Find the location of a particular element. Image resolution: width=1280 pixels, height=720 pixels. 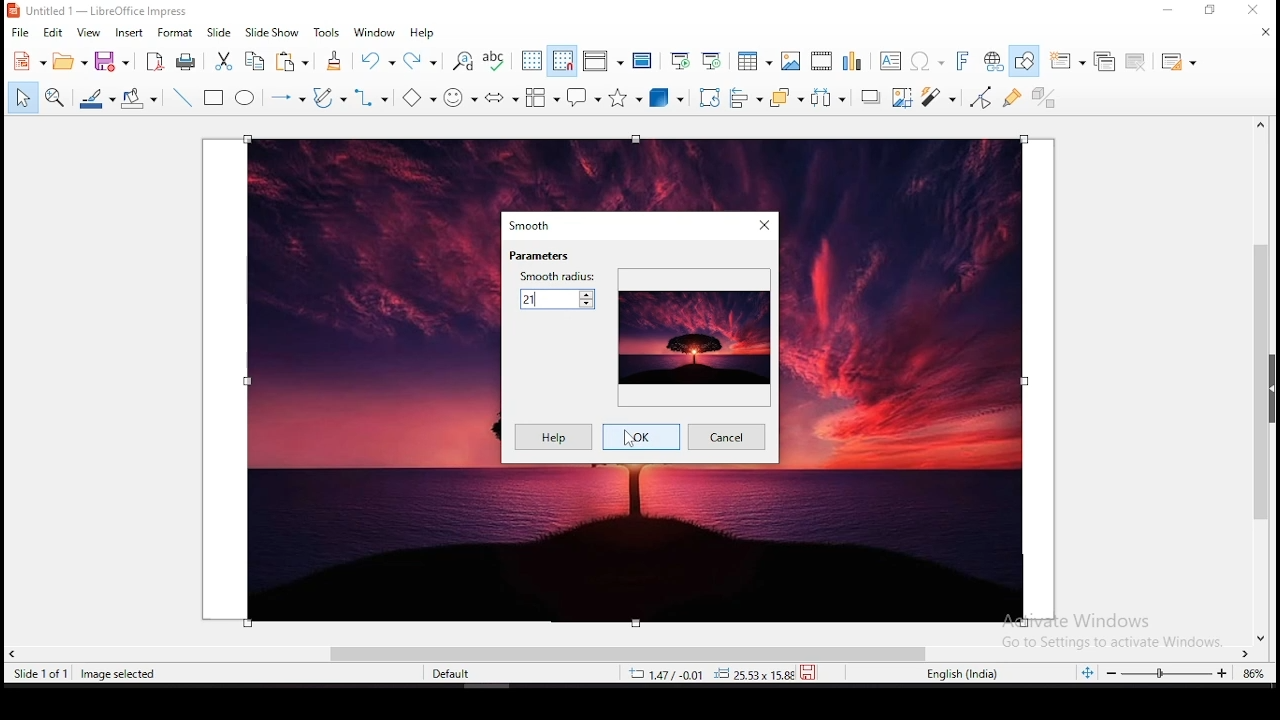

 slide layout is located at coordinates (1178, 62).